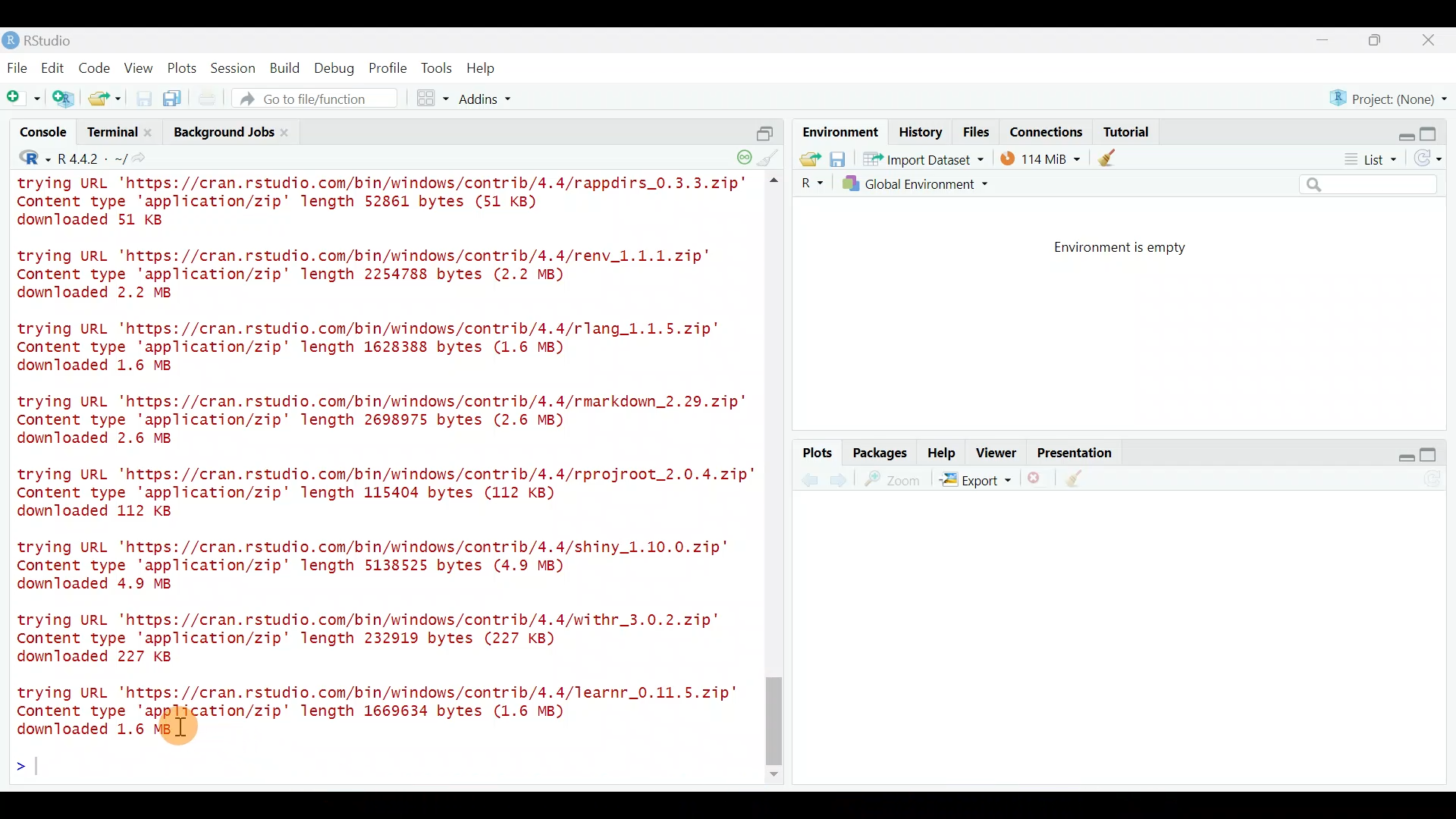 The width and height of the screenshot is (1456, 819). Describe the element at coordinates (385, 204) in the screenshot. I see `trying URL 'https://cran.rstudio.com/bin/windows/contrib/4.4/rappdirs_0.3.3.zip"’
Content type 'application/zip' length 52861 bytes (51 KB)
downloaded 51 KB` at that location.